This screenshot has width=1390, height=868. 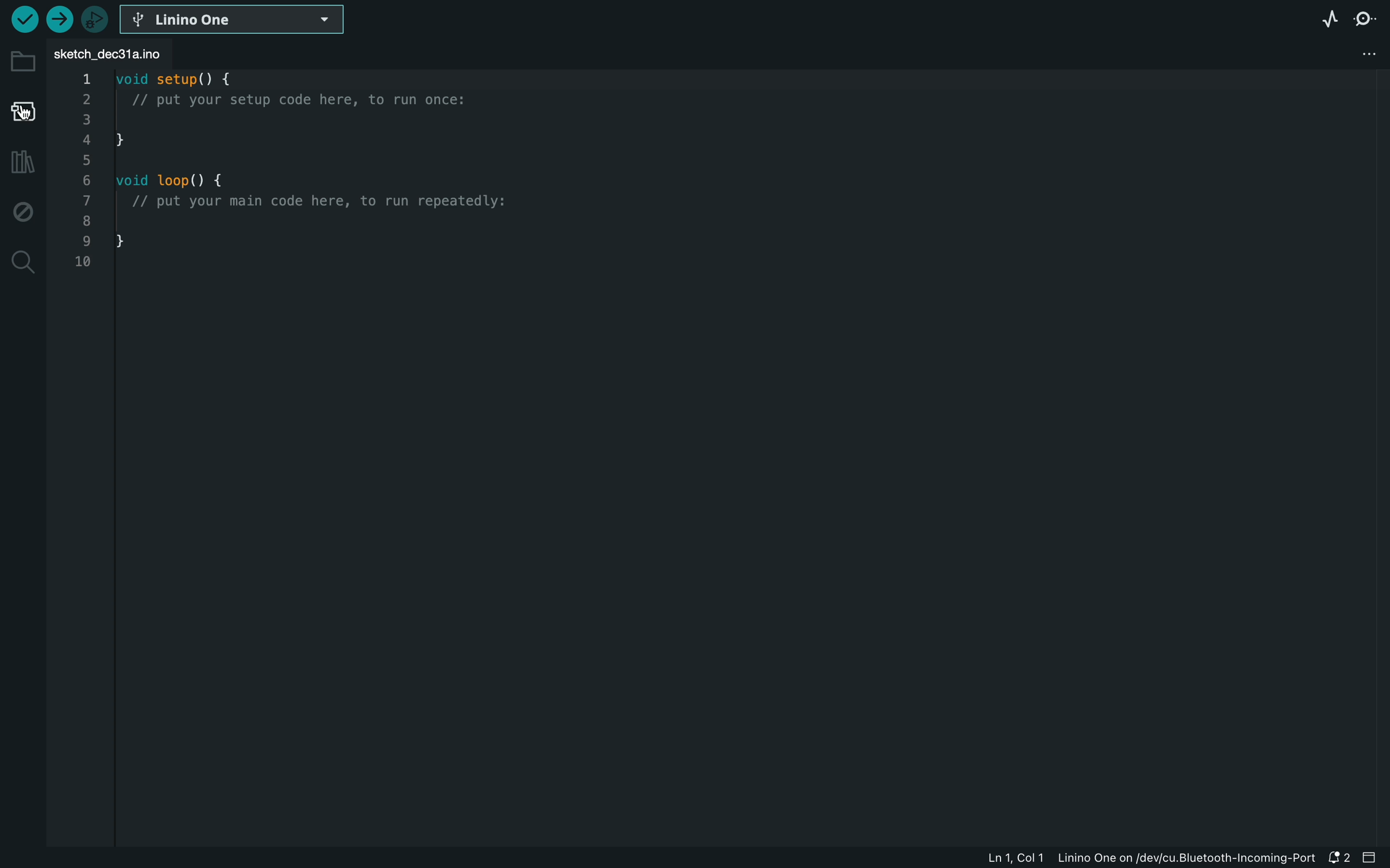 I want to click on debugger, so click(x=95, y=21).